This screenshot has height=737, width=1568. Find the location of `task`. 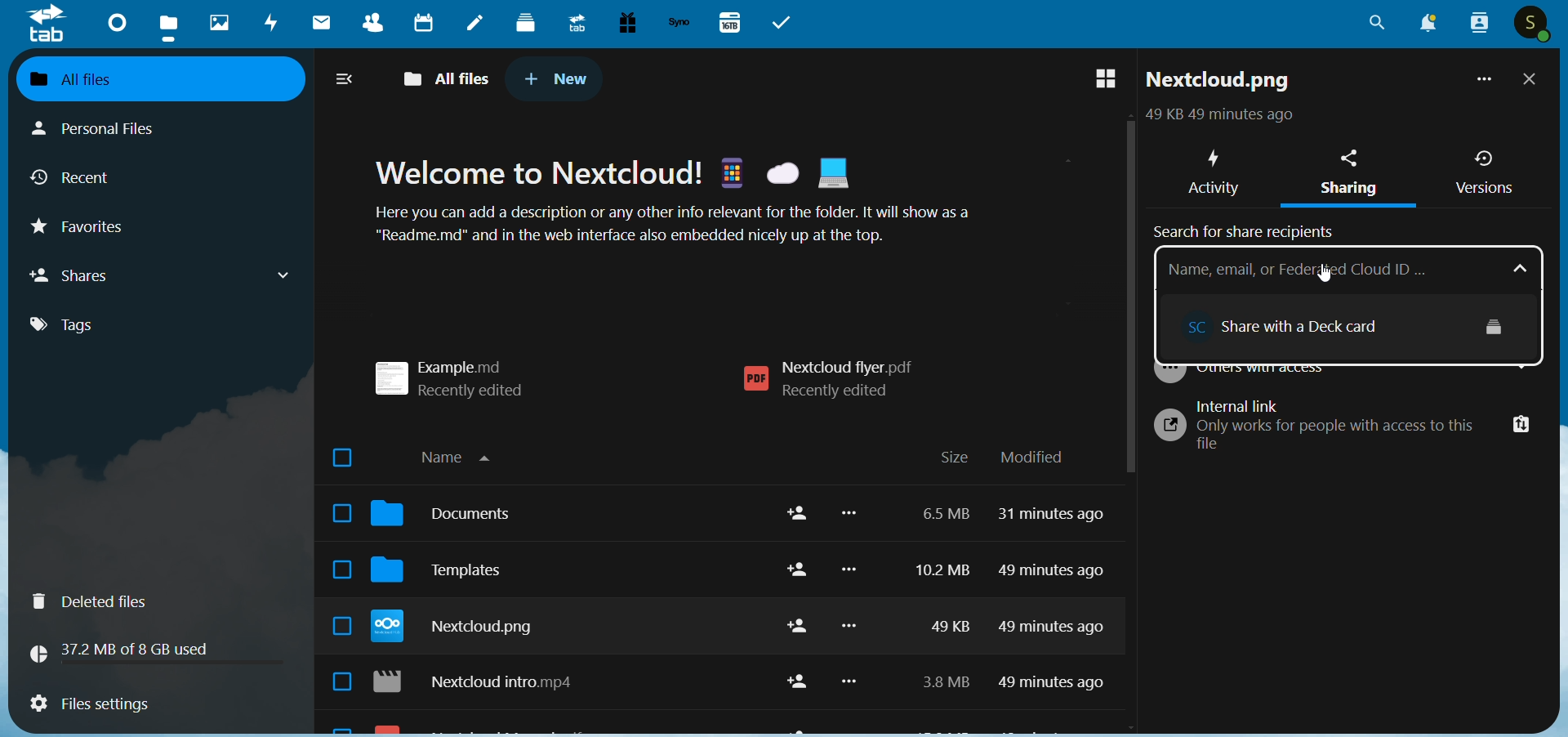

task is located at coordinates (786, 23).